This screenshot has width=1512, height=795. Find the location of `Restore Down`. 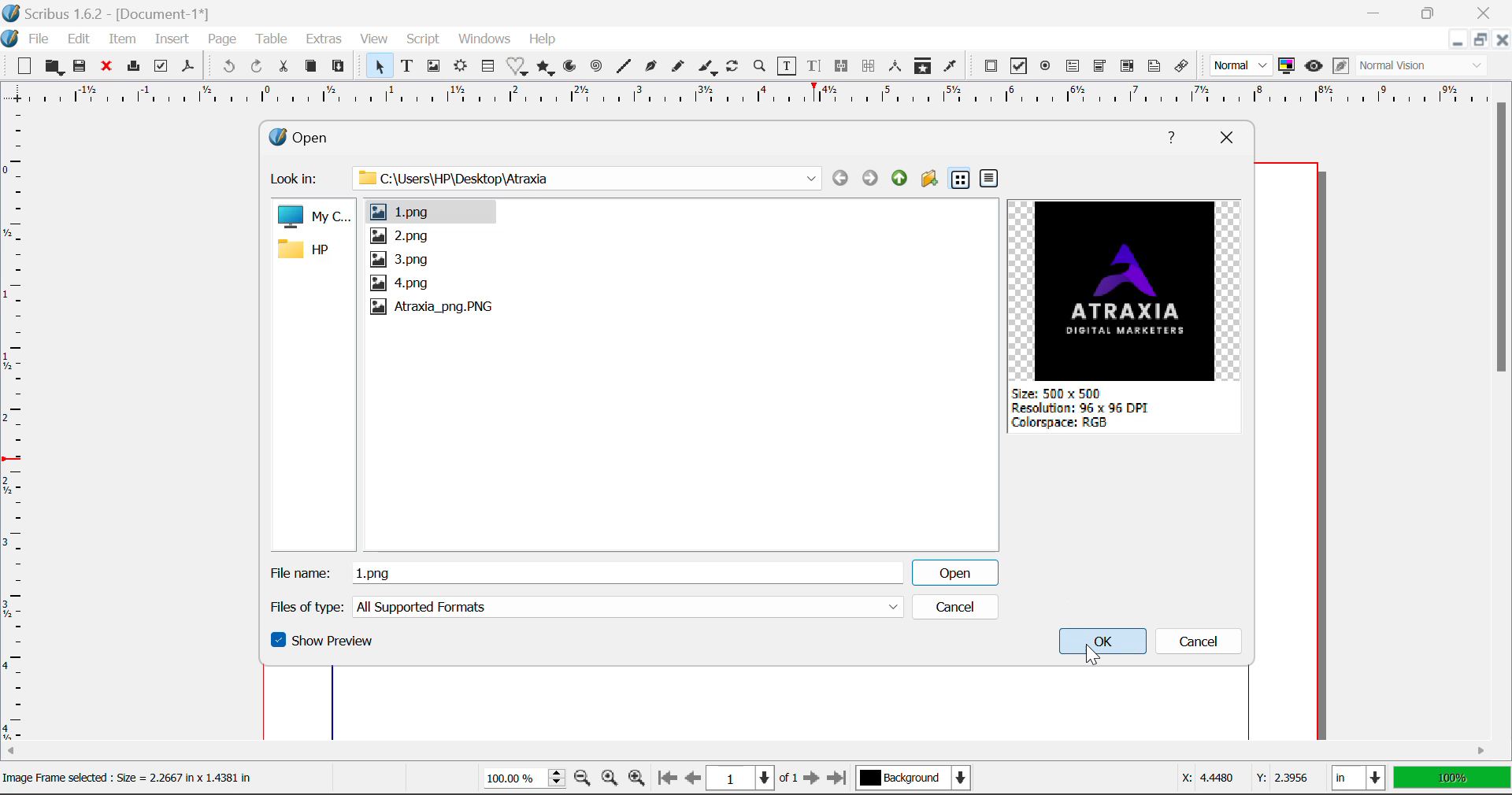

Restore Down is located at coordinates (1459, 42).